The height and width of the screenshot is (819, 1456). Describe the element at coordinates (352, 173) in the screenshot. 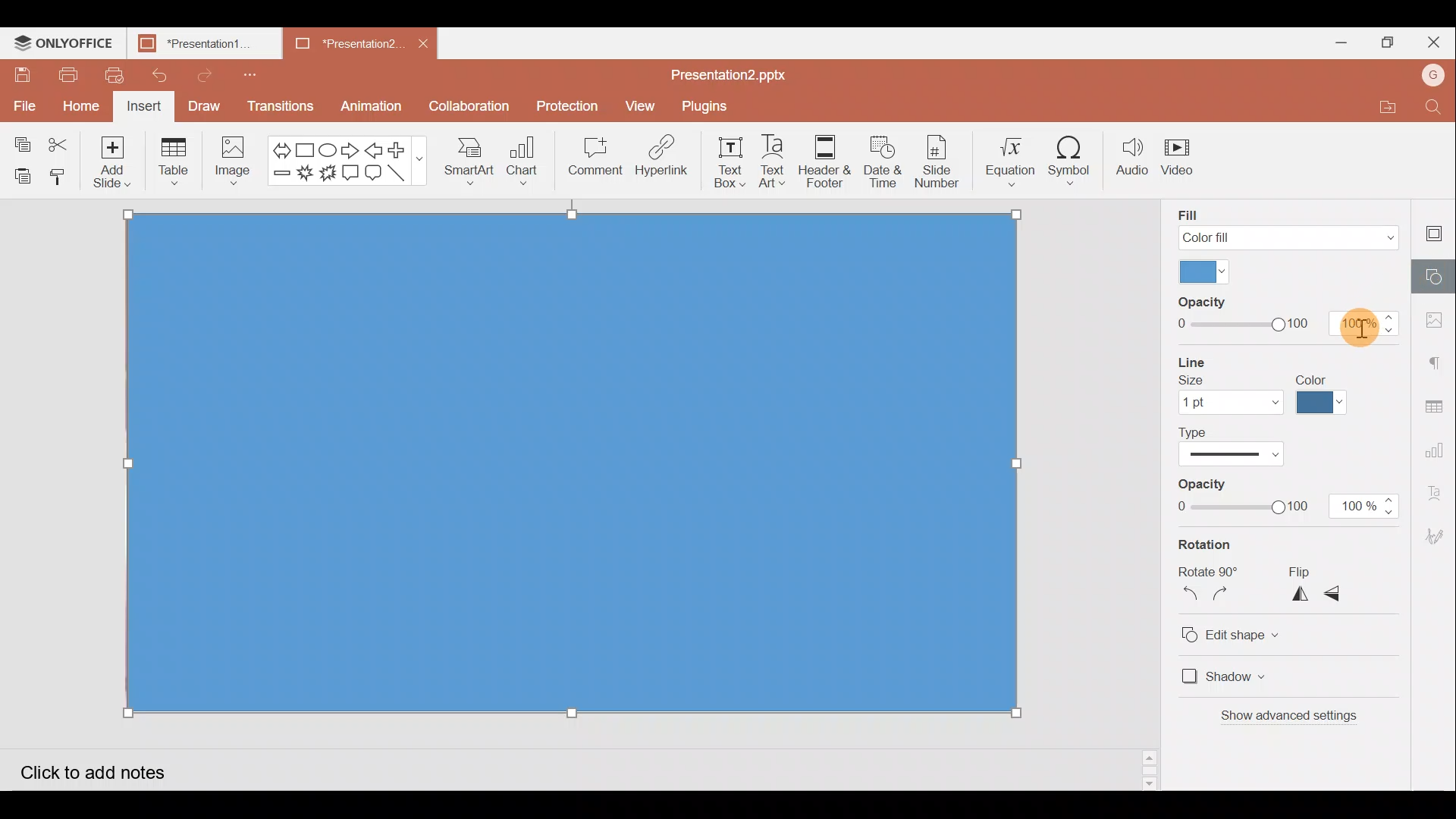

I see `Rectangular callout` at that location.